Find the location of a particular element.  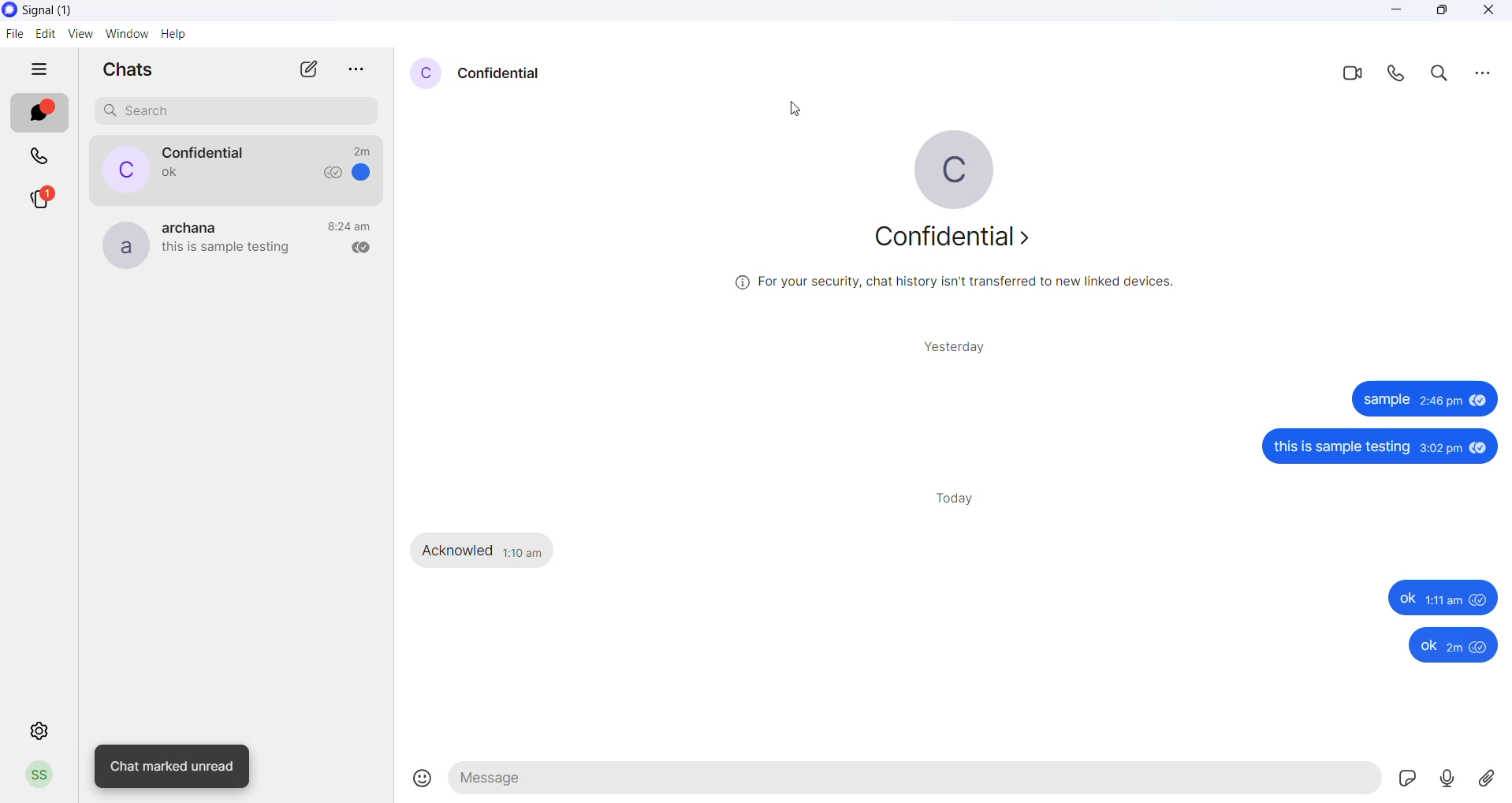

notification for chat unmarked is located at coordinates (175, 767).